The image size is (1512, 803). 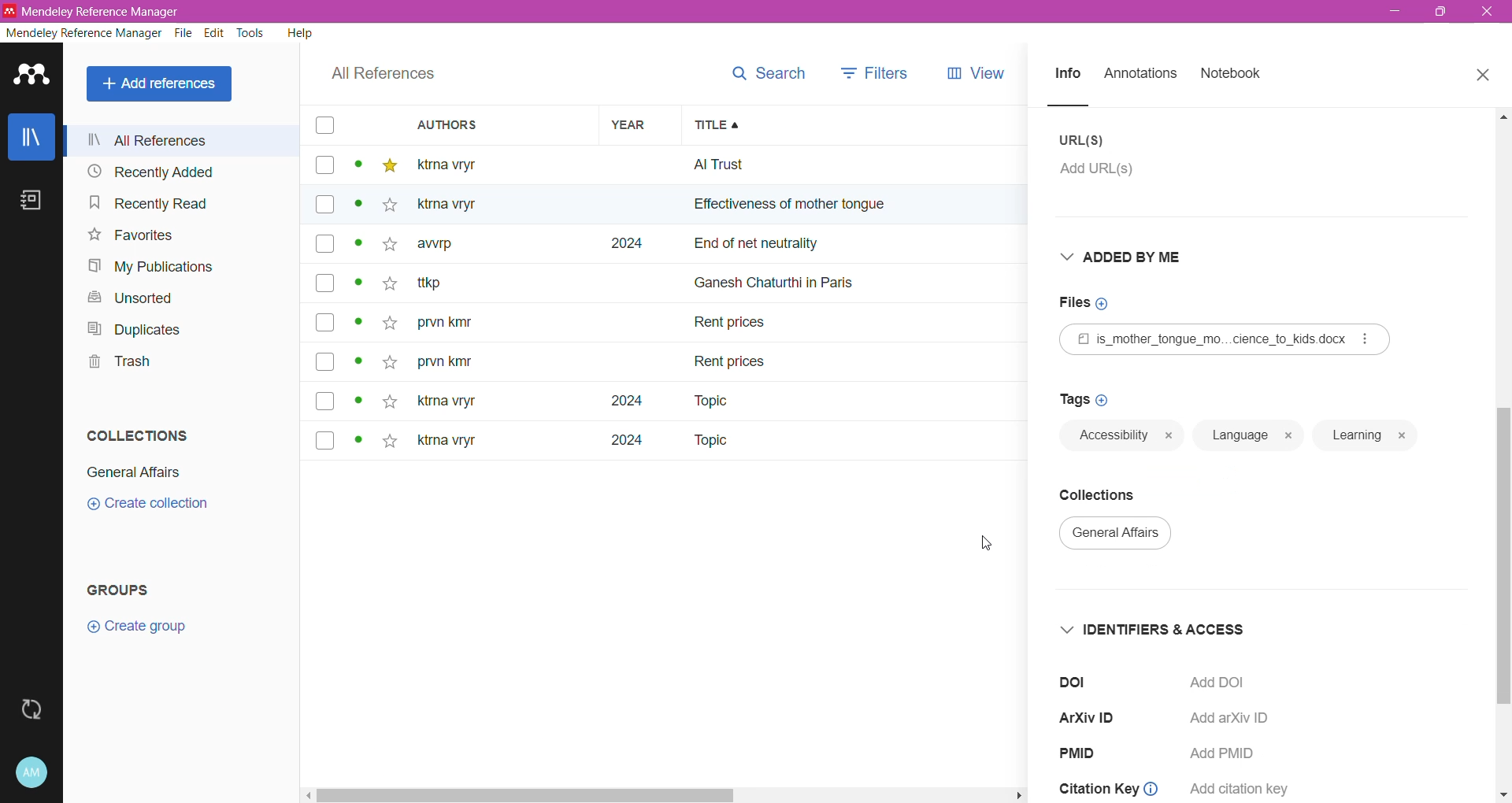 I want to click on Recently Read, so click(x=166, y=202).